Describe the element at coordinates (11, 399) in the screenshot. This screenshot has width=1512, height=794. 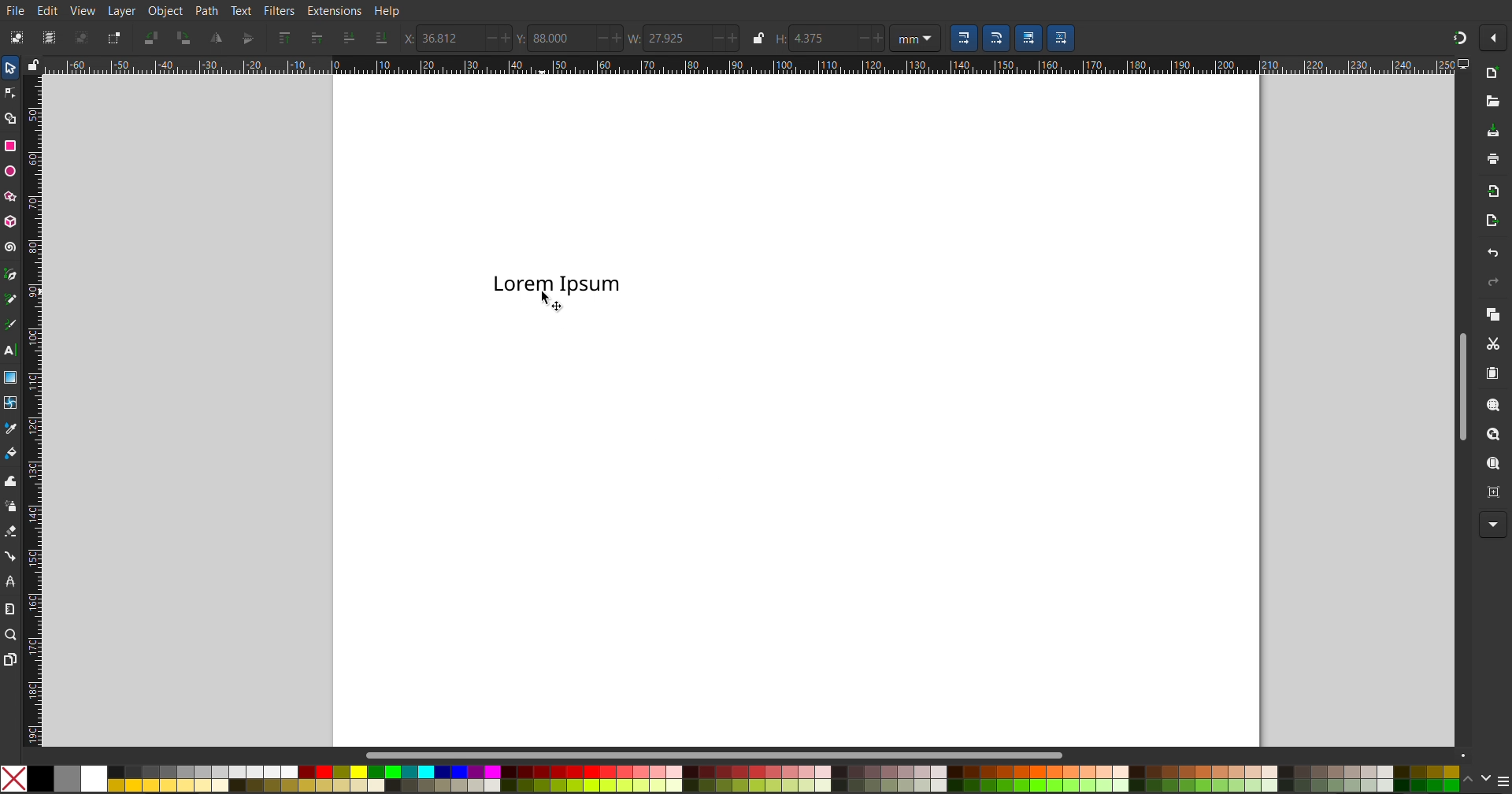
I see `Mesh Tool` at that location.